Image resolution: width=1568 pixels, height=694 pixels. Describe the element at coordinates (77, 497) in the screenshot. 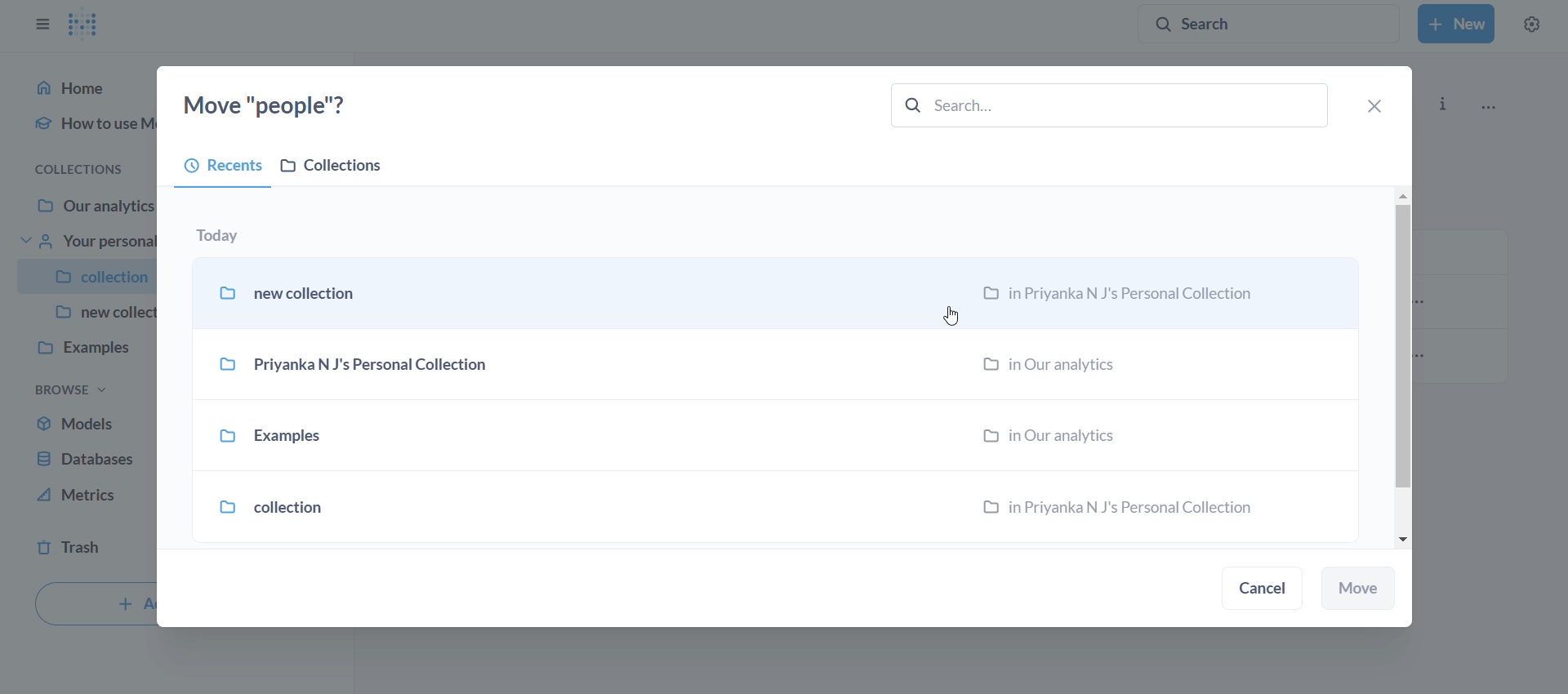

I see `metrics` at that location.